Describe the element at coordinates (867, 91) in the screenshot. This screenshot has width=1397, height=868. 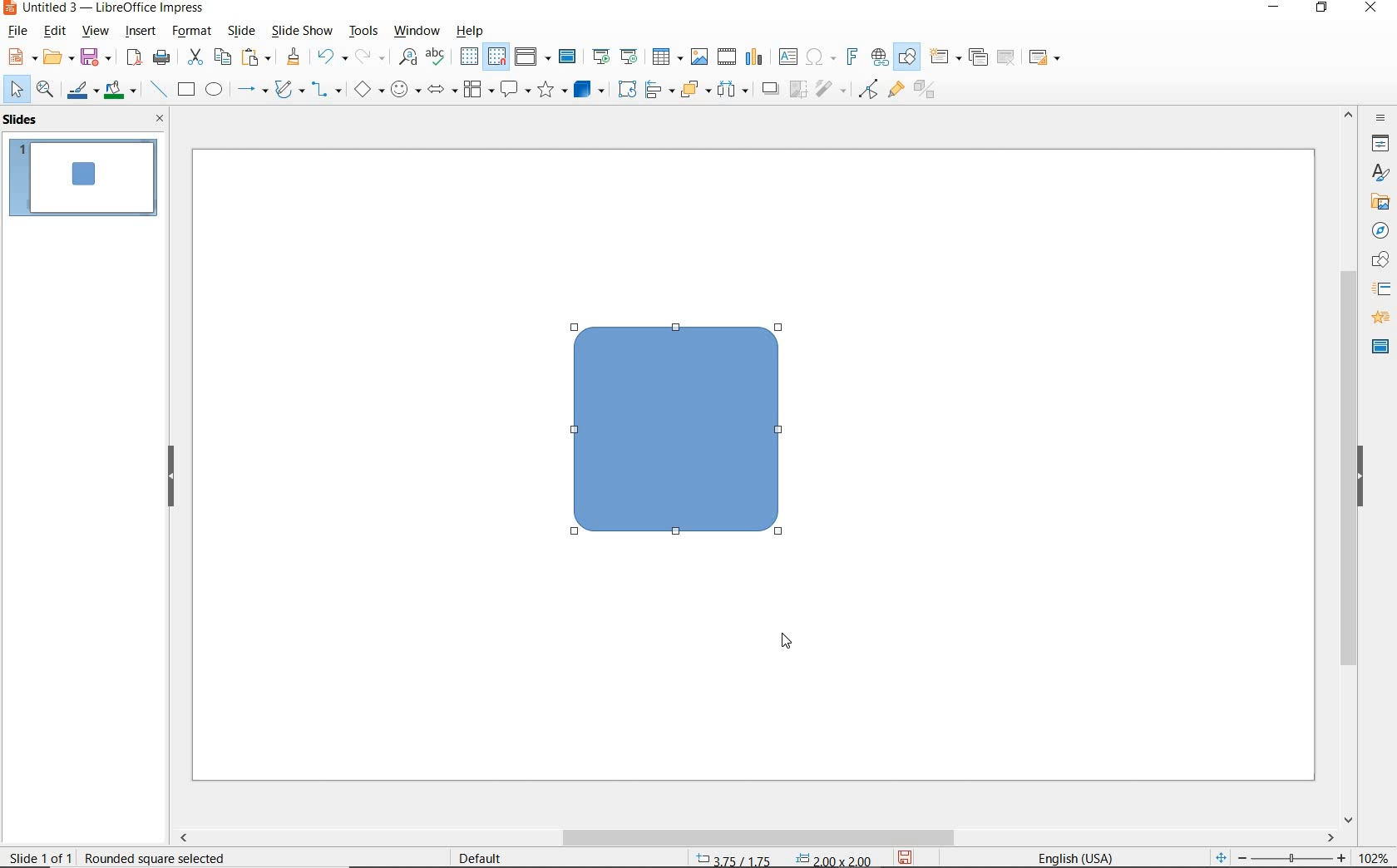
I see `toggle point edit mode` at that location.